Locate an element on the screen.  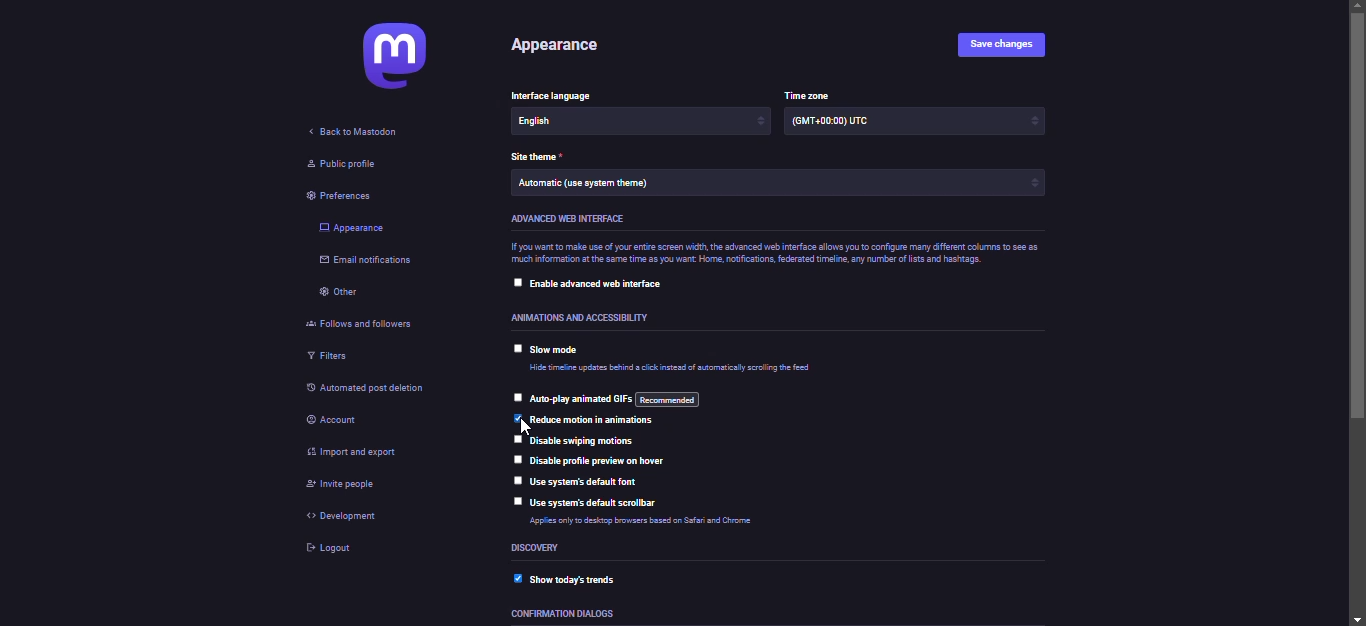
email notifications is located at coordinates (369, 262).